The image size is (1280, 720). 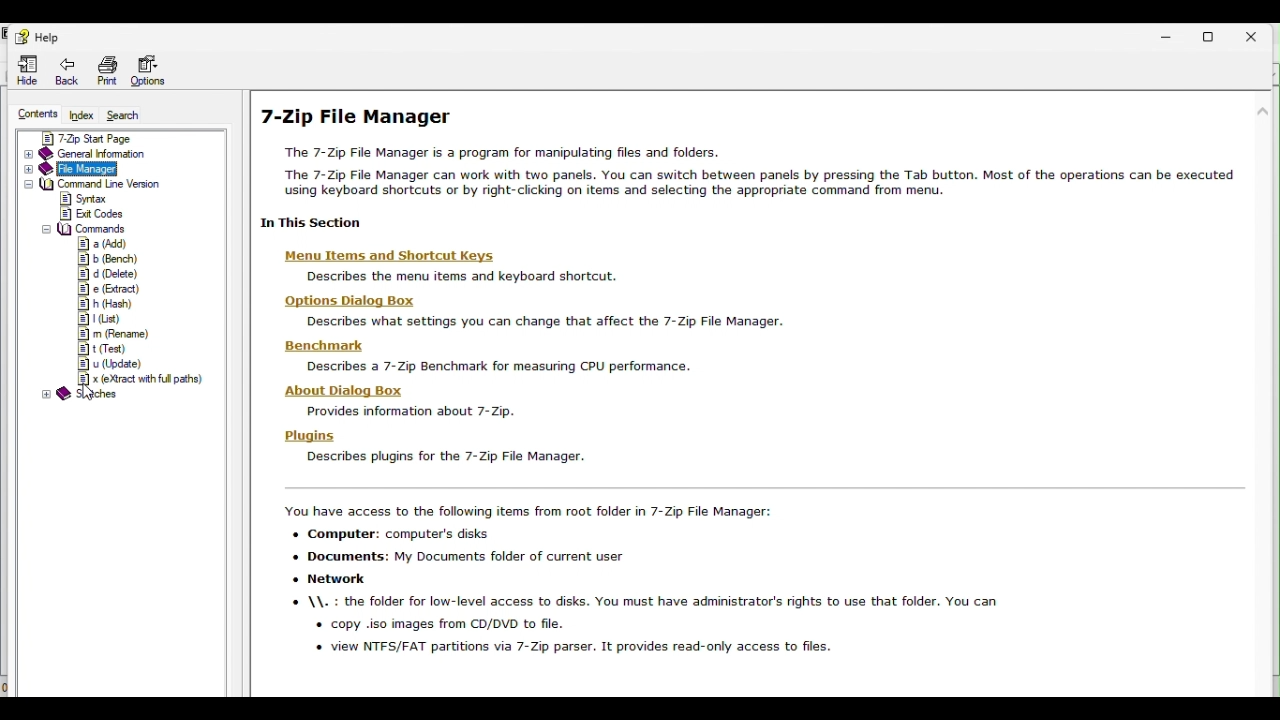 I want to click on Describes the menu items and keyboard shortcut., so click(x=463, y=277).